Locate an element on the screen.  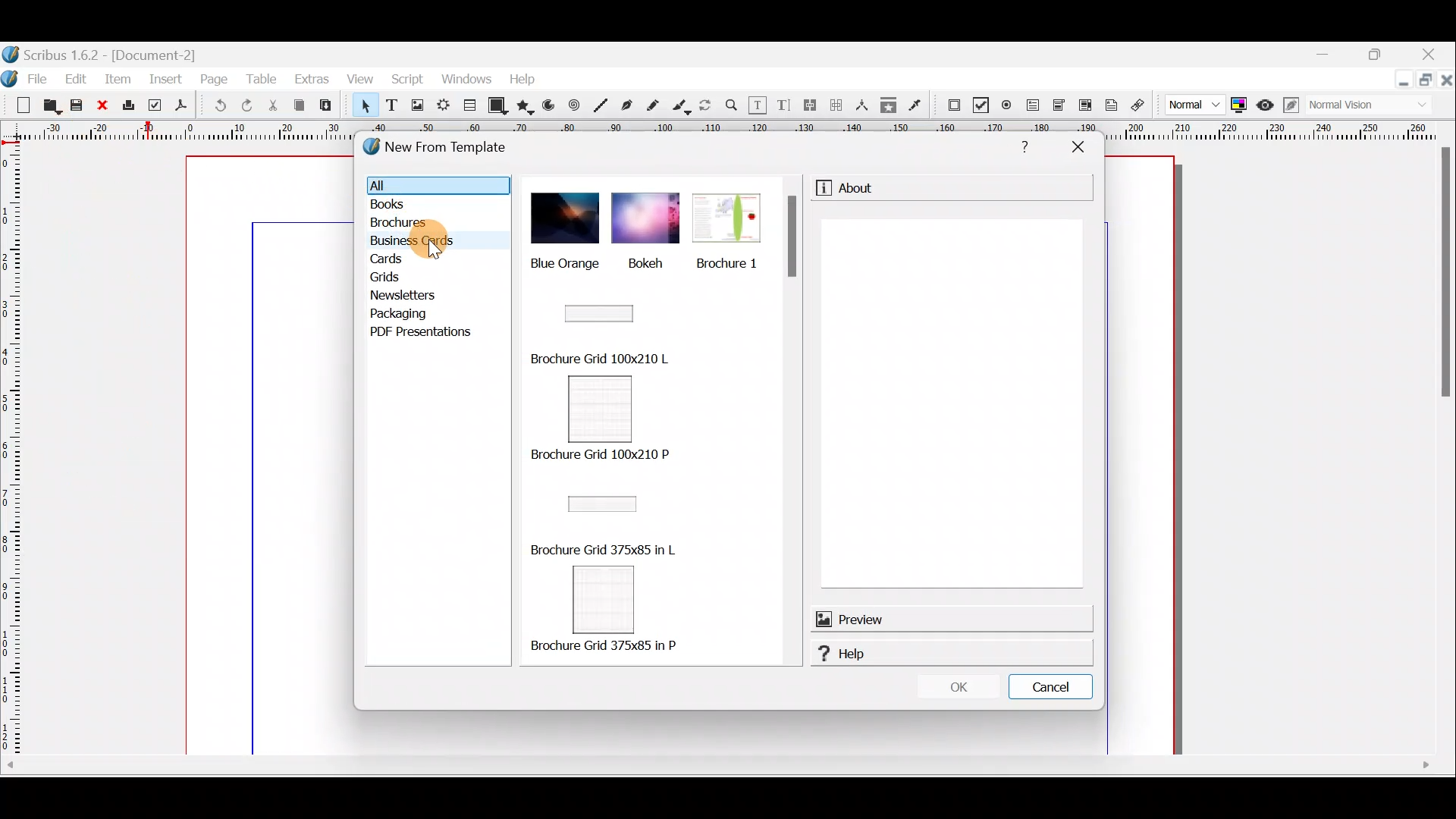
Table is located at coordinates (468, 107).